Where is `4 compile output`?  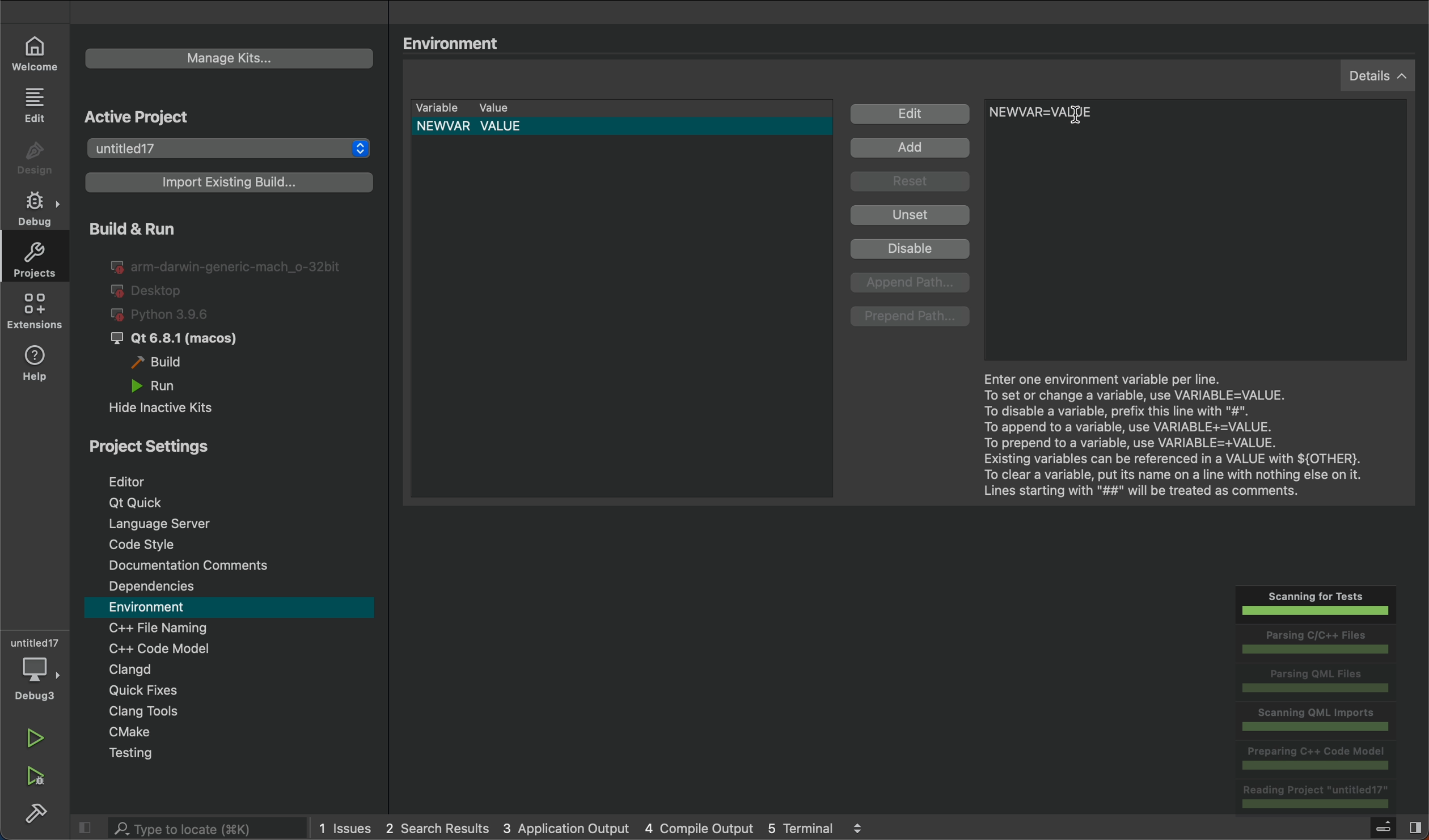 4 compile output is located at coordinates (699, 827).